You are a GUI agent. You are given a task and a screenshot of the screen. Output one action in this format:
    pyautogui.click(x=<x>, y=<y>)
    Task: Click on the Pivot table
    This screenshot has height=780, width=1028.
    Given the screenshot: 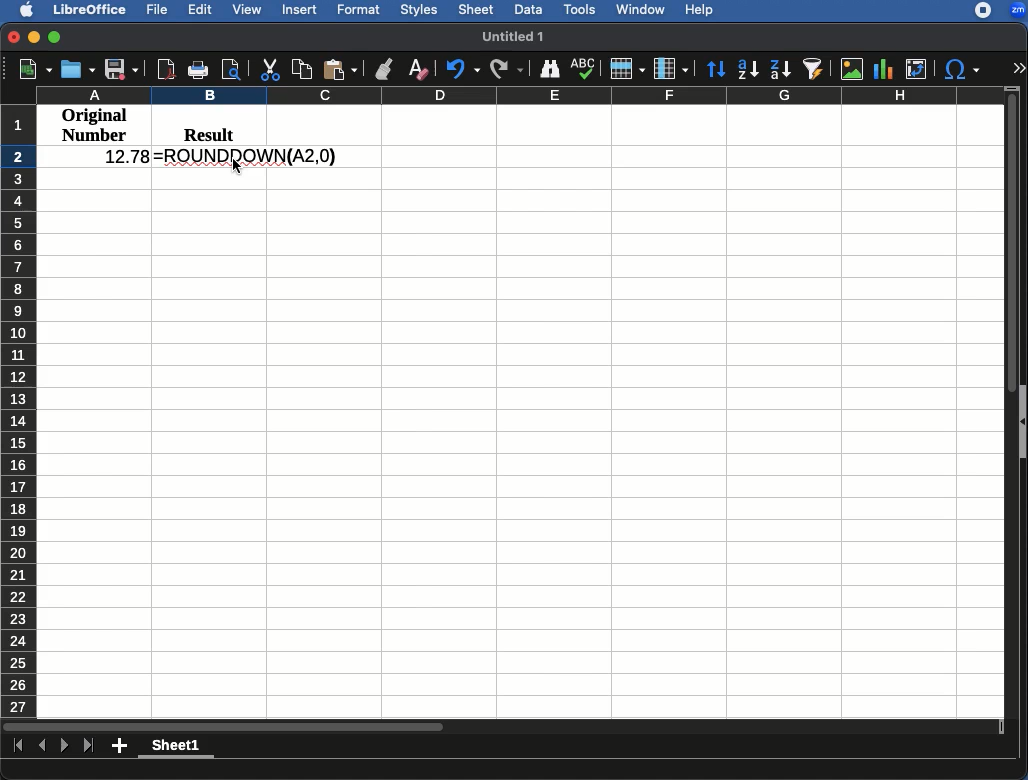 What is the action you would take?
    pyautogui.click(x=916, y=69)
    